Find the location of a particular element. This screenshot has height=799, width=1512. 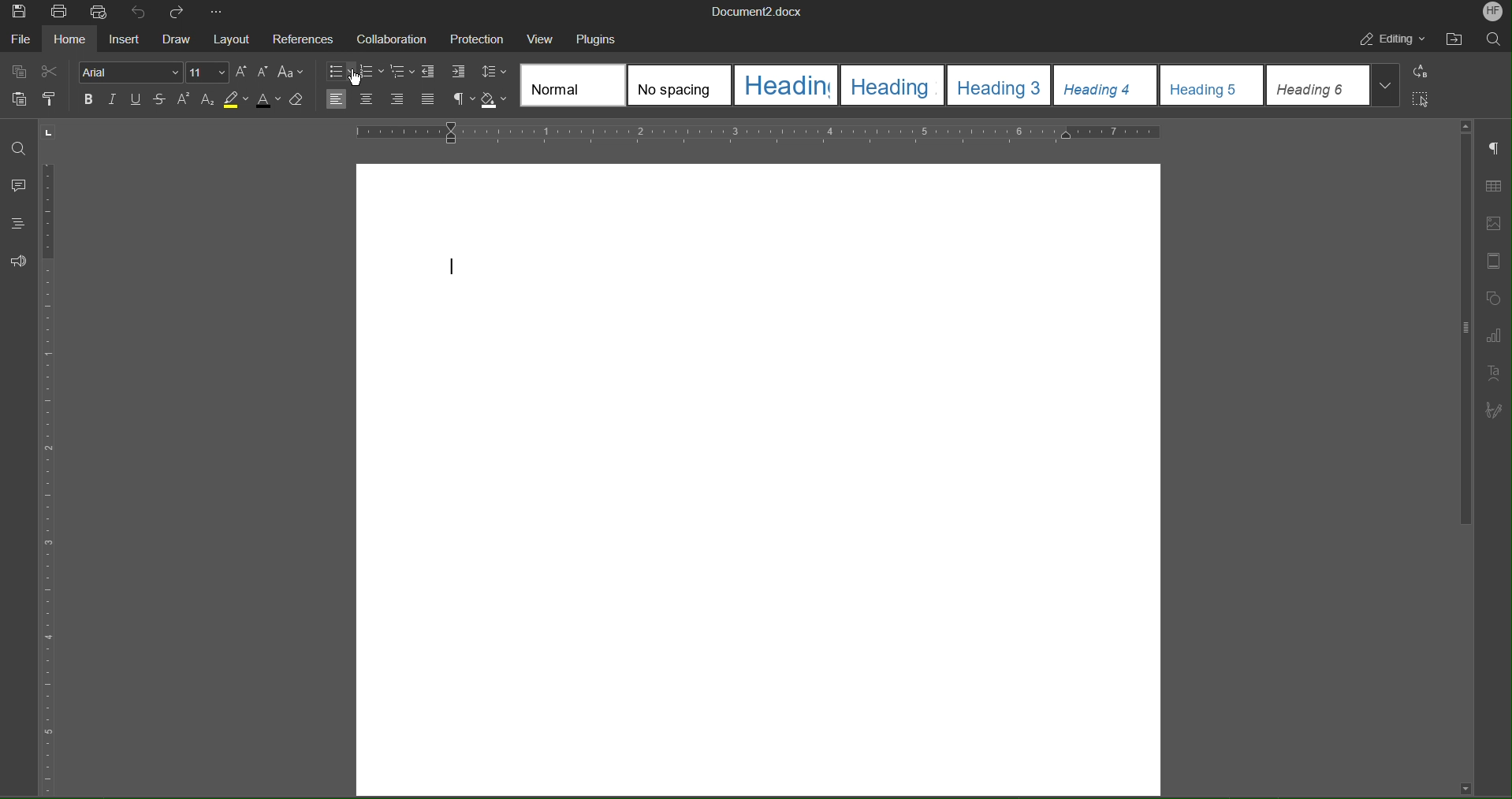

Bold is located at coordinates (88, 98).